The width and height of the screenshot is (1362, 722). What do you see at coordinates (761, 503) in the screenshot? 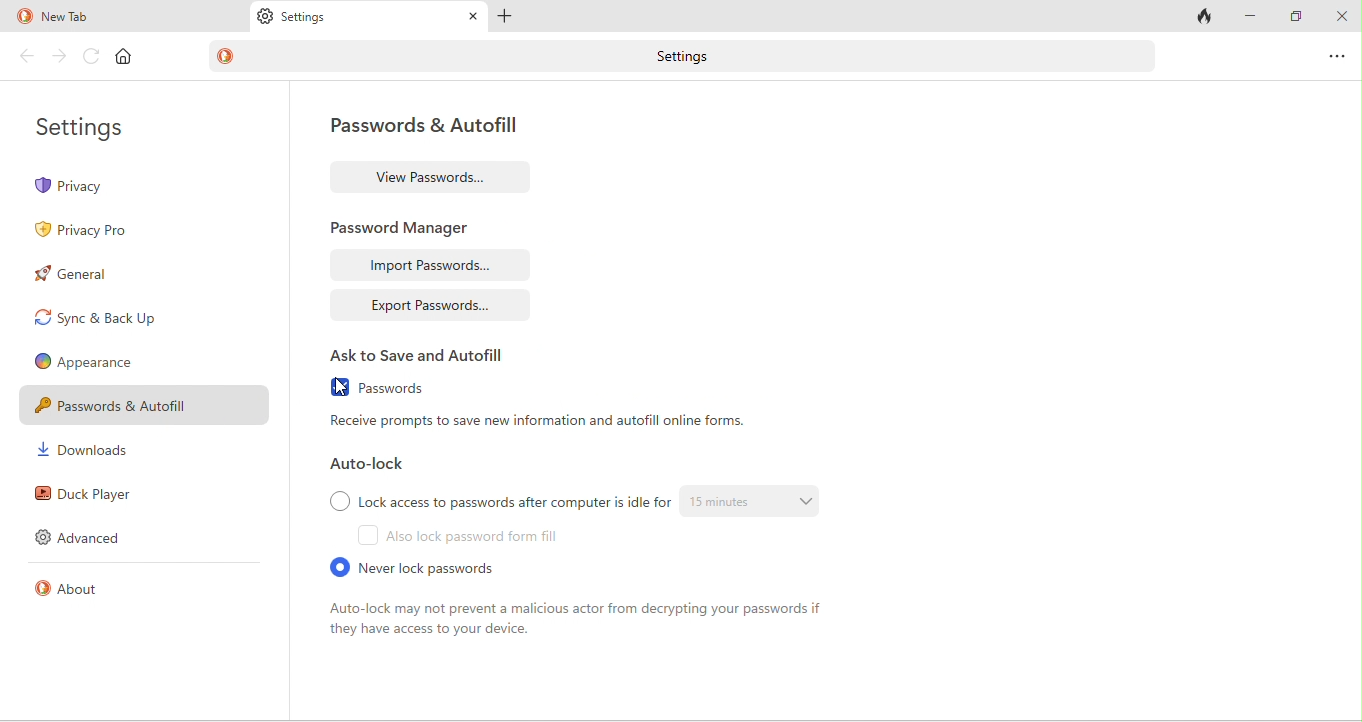
I see `15 minutes` at bounding box center [761, 503].